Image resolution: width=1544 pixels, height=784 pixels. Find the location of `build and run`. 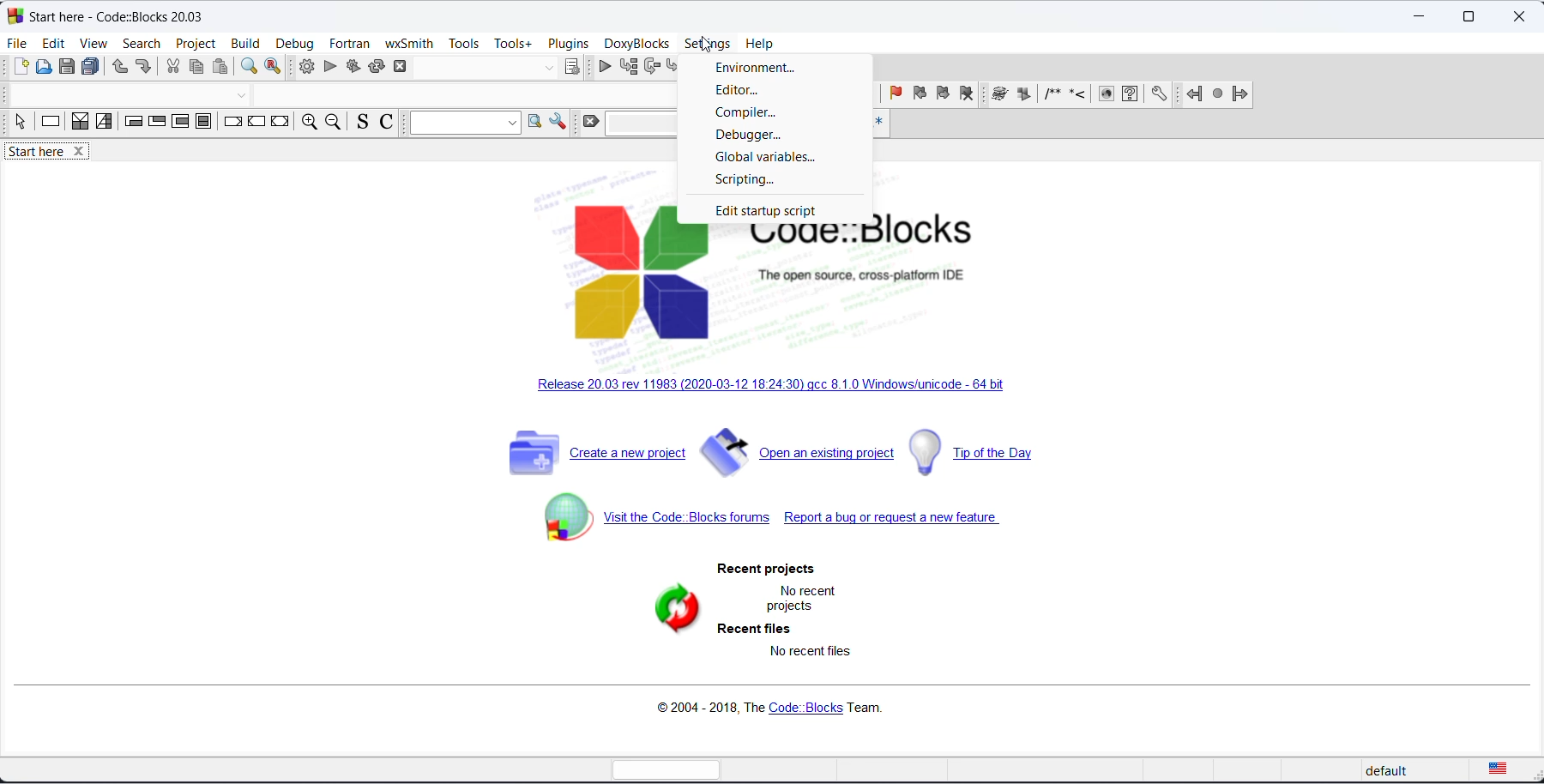

build and run is located at coordinates (352, 65).